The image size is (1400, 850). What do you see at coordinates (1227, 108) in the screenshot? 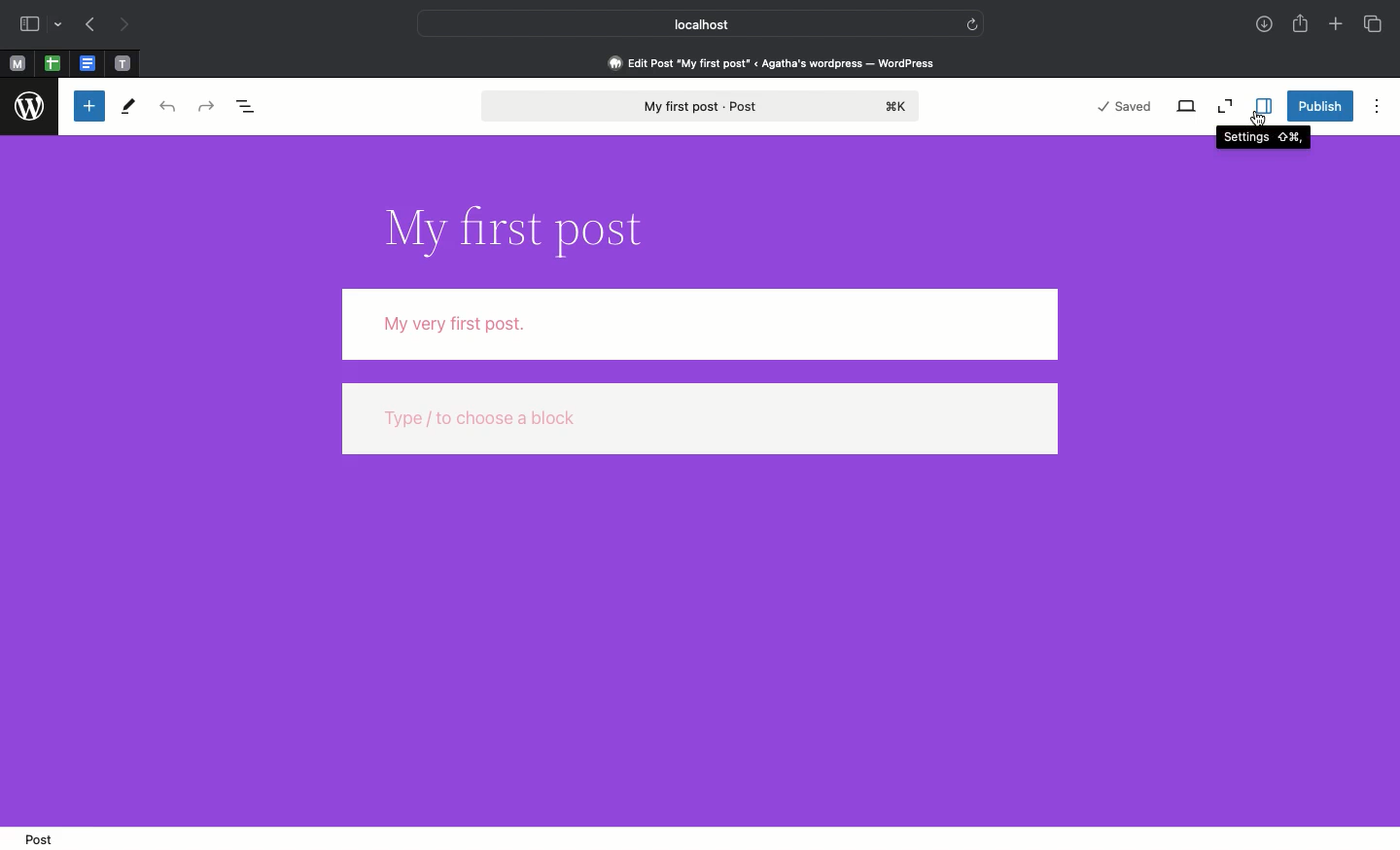
I see `Zoom out` at bounding box center [1227, 108].